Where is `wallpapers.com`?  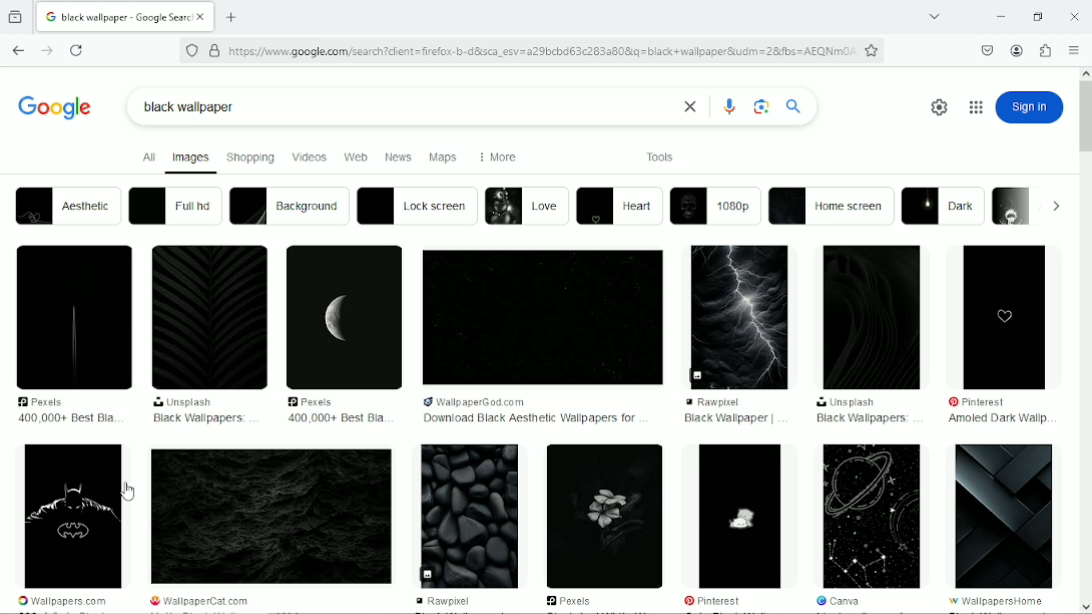
wallpapers.com is located at coordinates (64, 602).